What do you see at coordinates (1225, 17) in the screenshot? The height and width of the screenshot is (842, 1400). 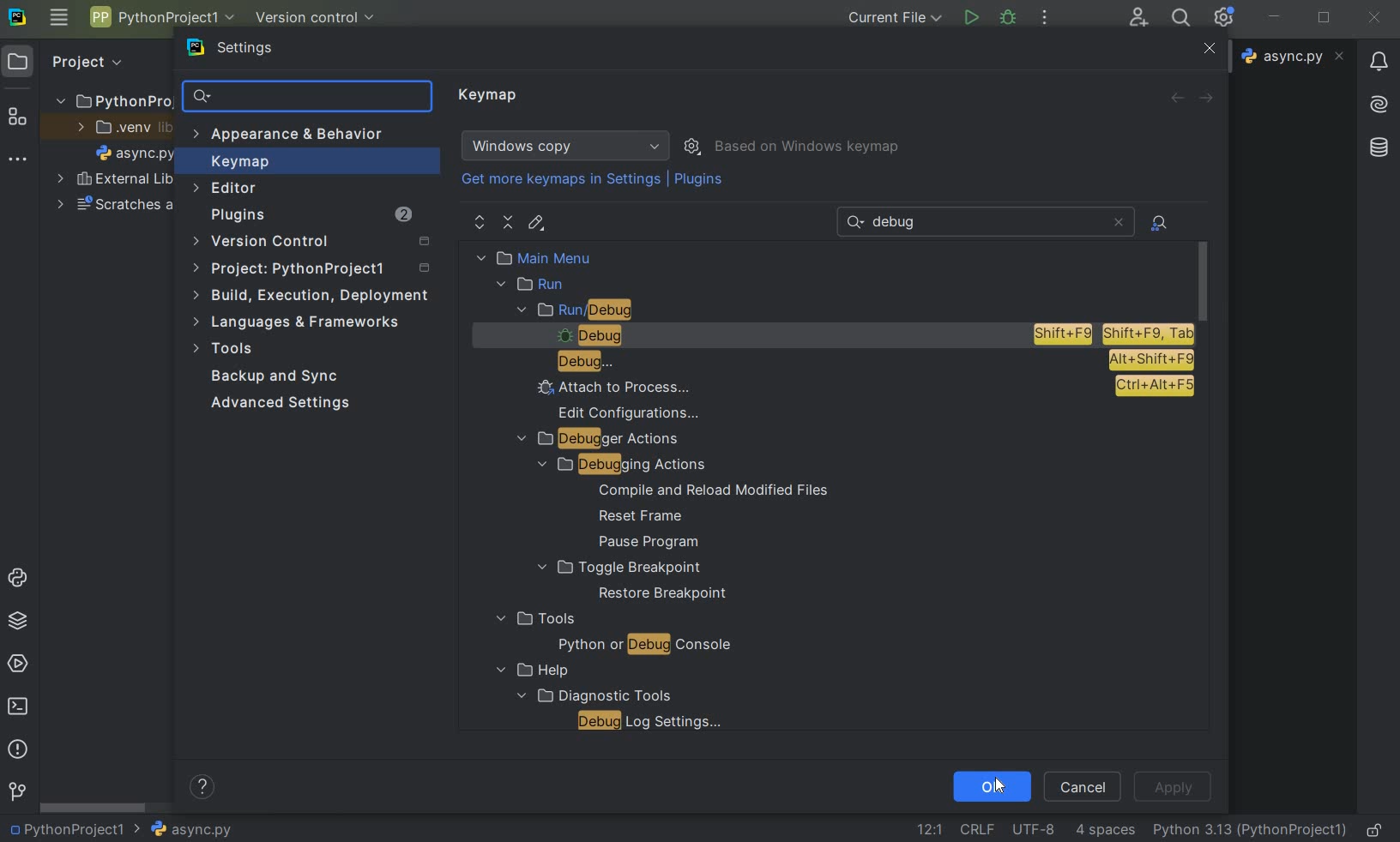 I see `ide and project settings` at bounding box center [1225, 17].